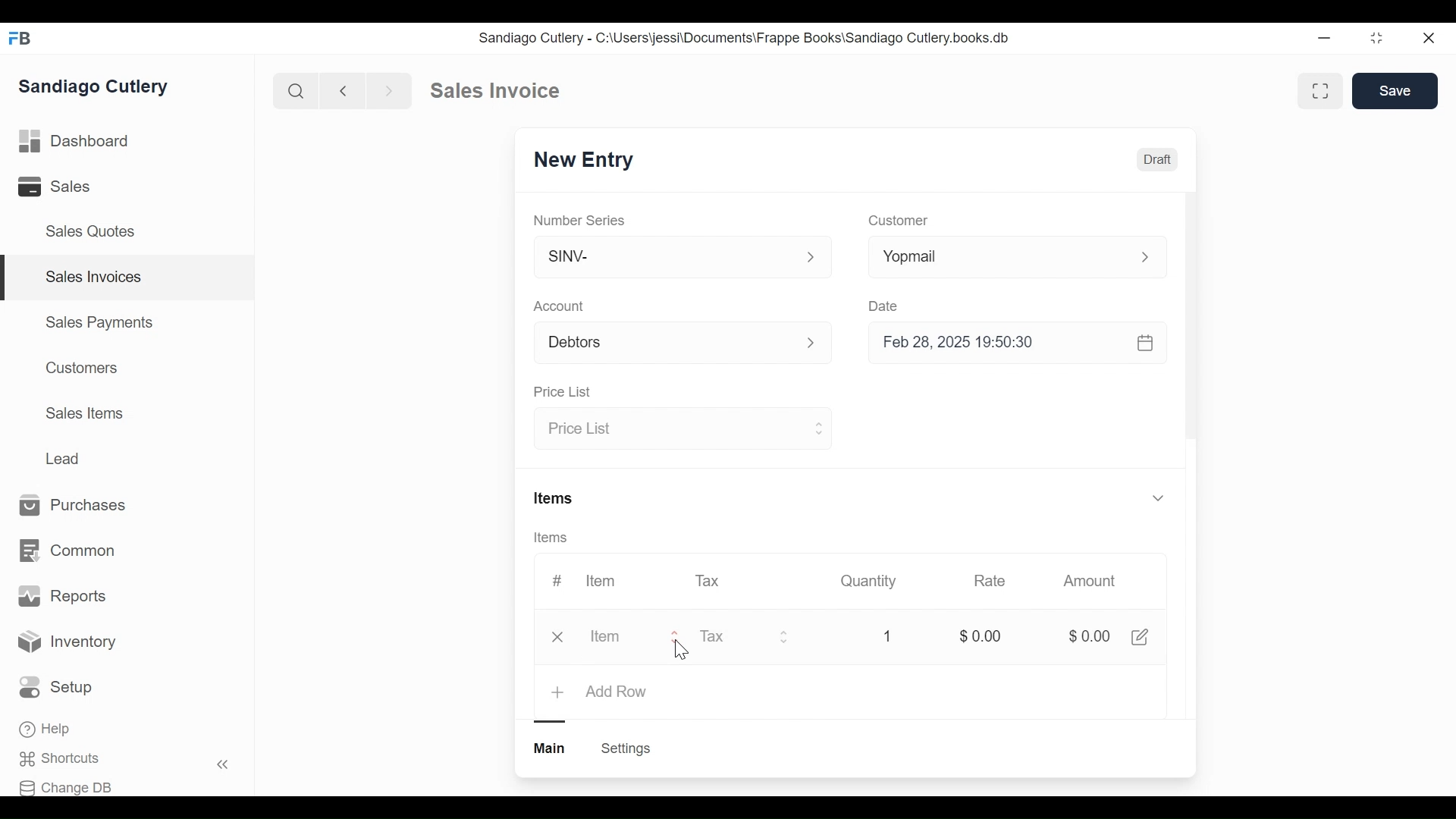  I want to click on Price List, so click(566, 392).